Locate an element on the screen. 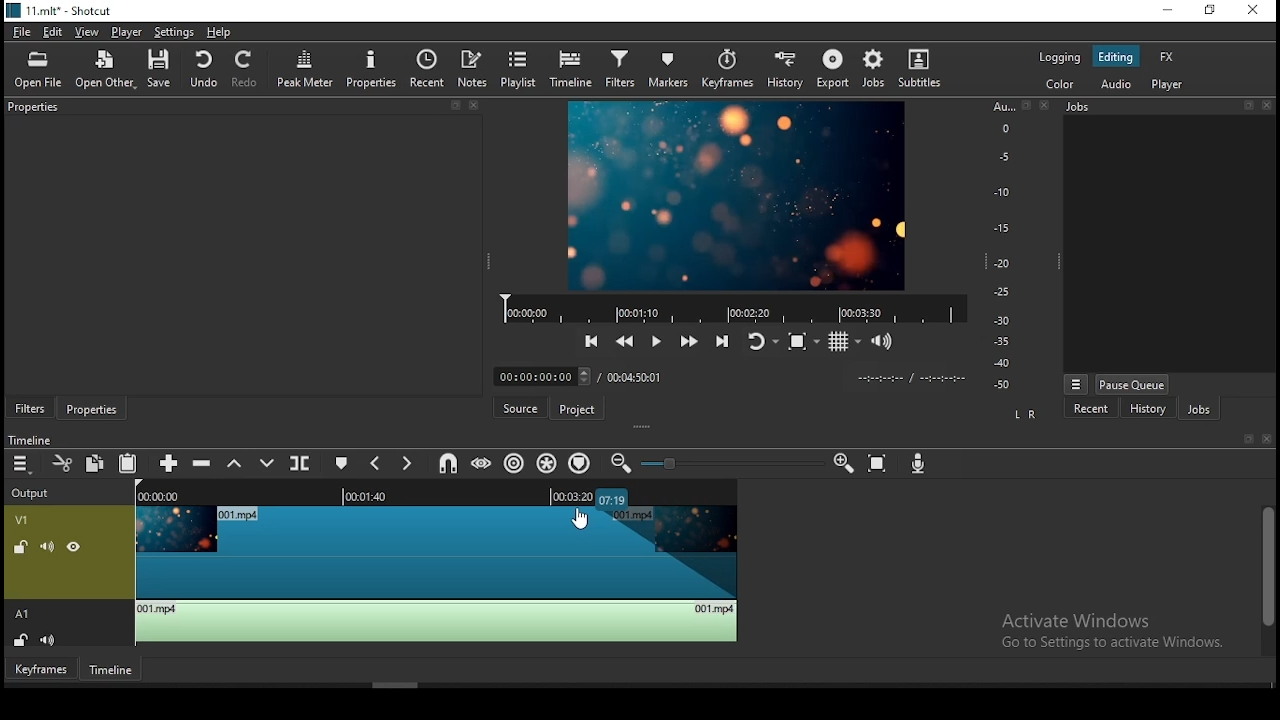 Image resolution: width=1280 pixels, height=720 pixels. timeline is located at coordinates (111, 672).